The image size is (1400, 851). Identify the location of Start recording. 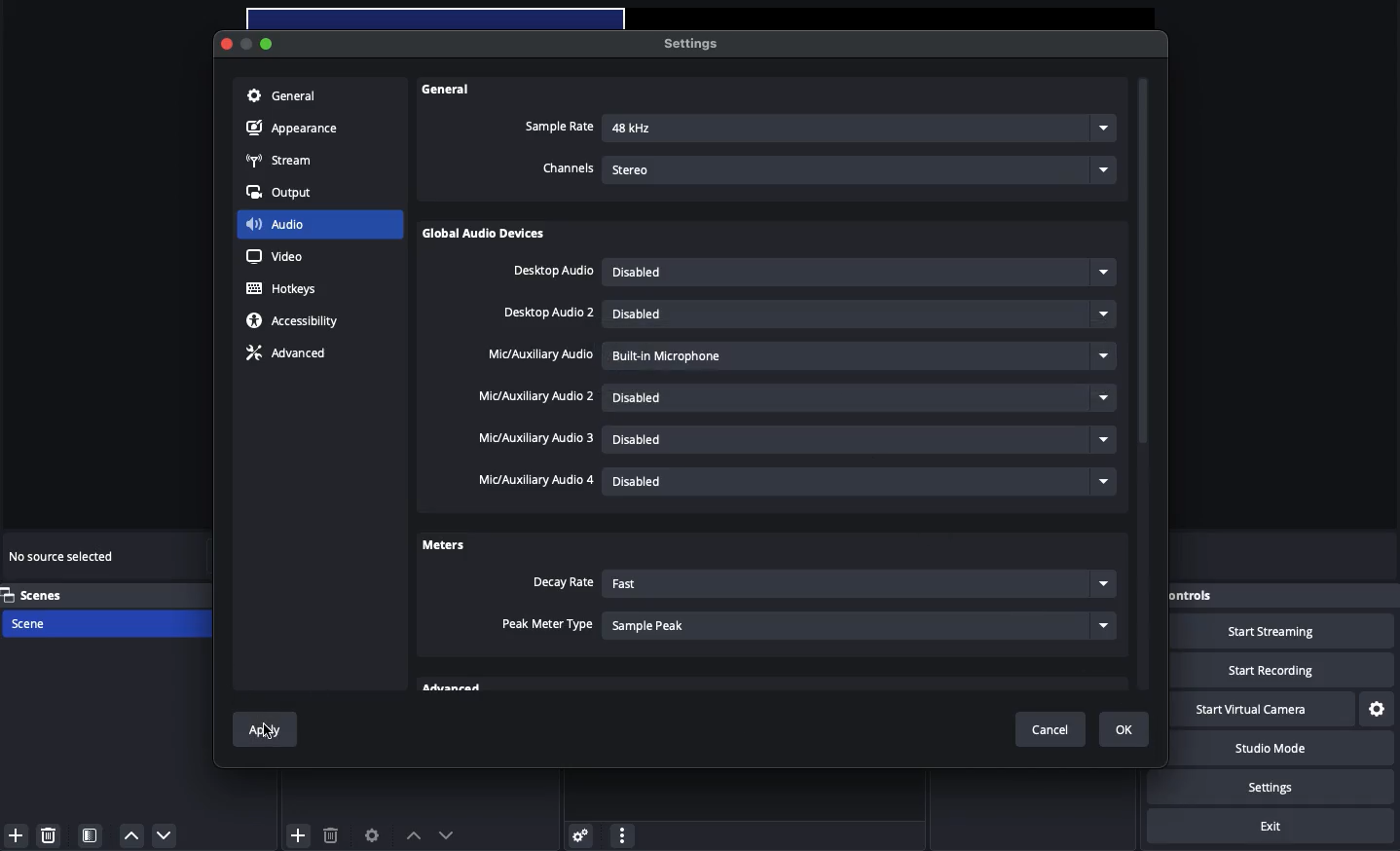
(1285, 670).